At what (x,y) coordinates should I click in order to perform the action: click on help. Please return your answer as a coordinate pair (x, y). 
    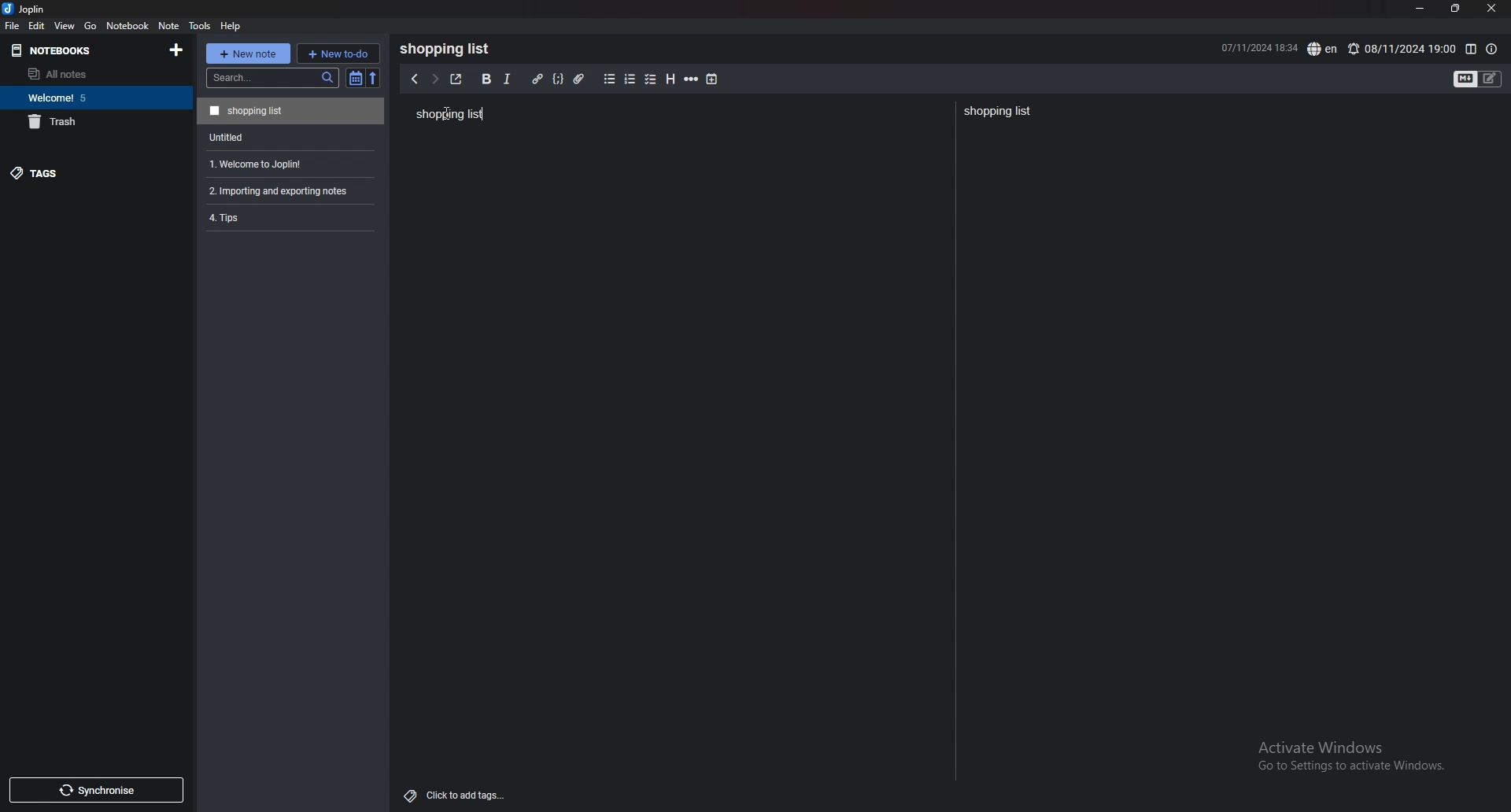
    Looking at the image, I should click on (231, 26).